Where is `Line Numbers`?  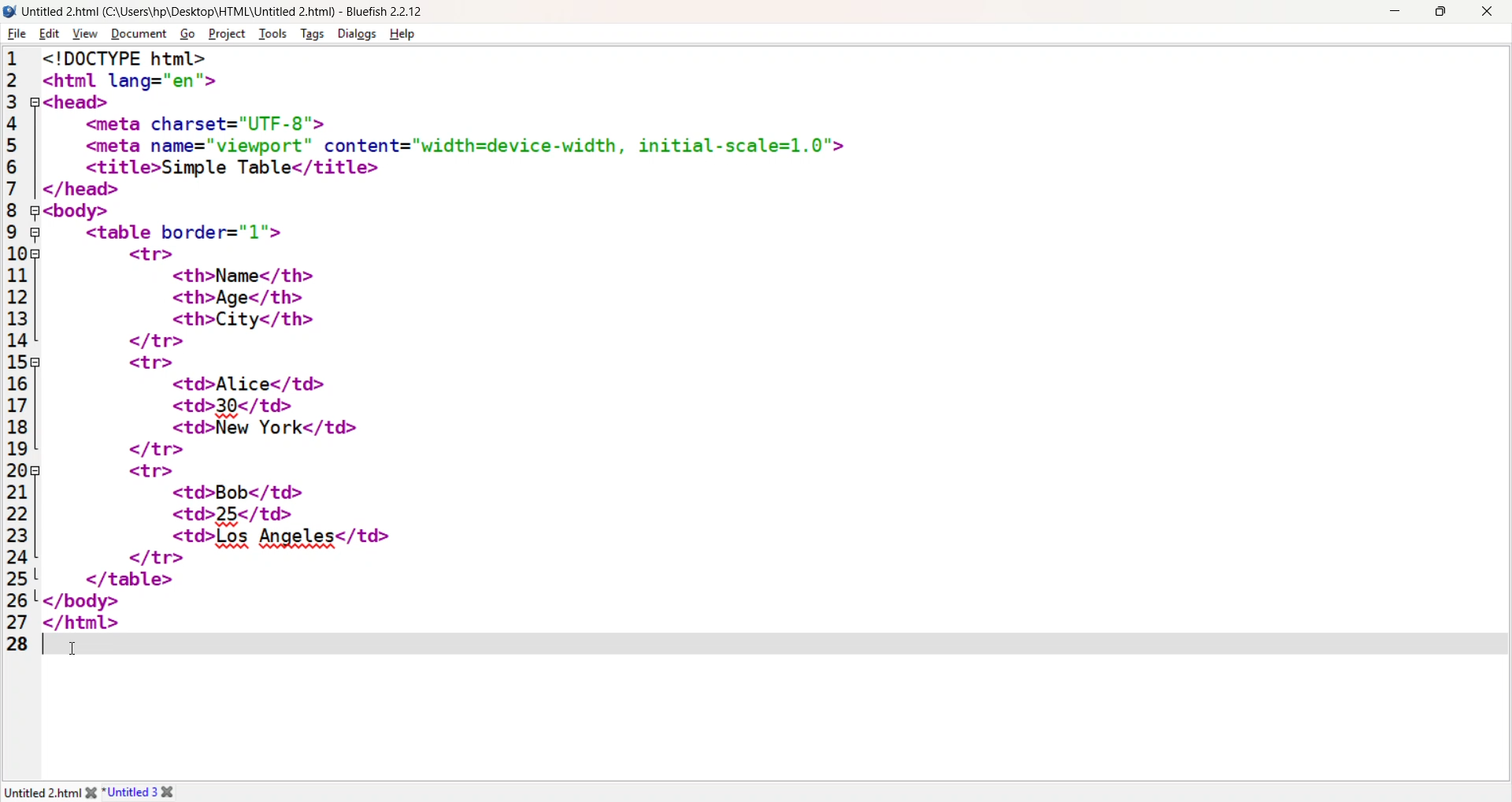
Line Numbers is located at coordinates (18, 354).